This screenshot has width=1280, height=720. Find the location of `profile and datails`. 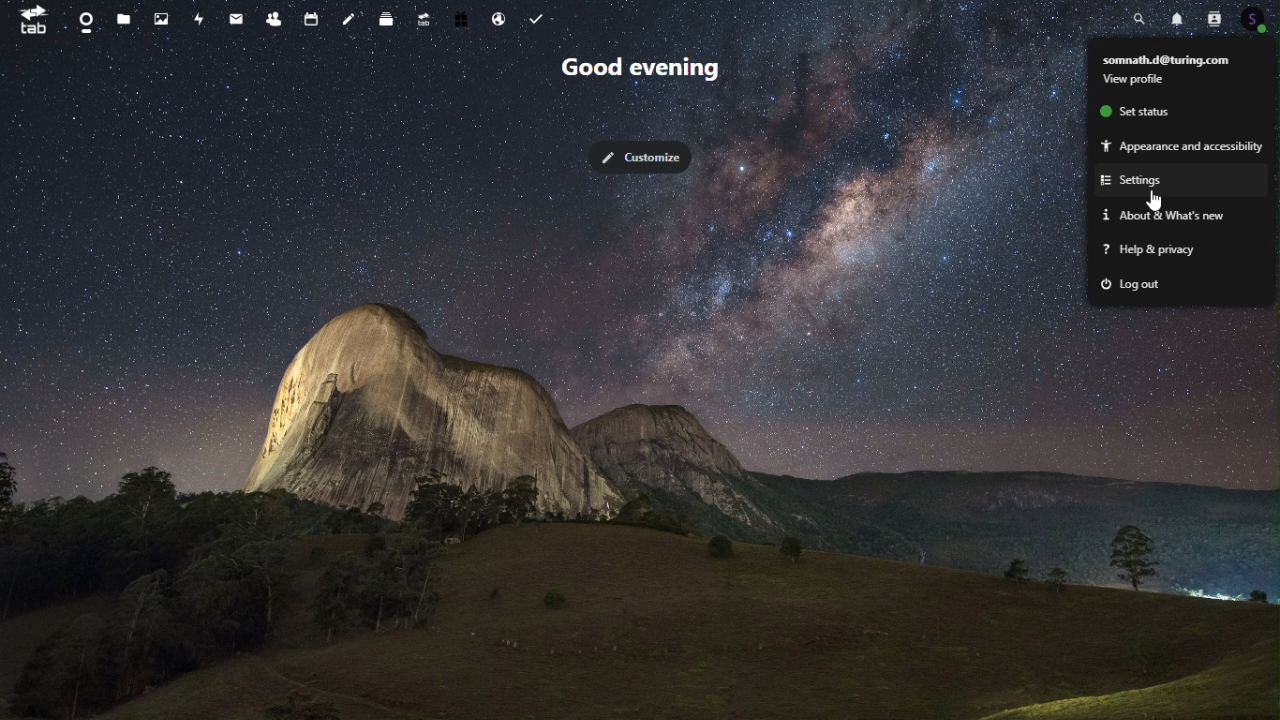

profile and datails is located at coordinates (1176, 59).